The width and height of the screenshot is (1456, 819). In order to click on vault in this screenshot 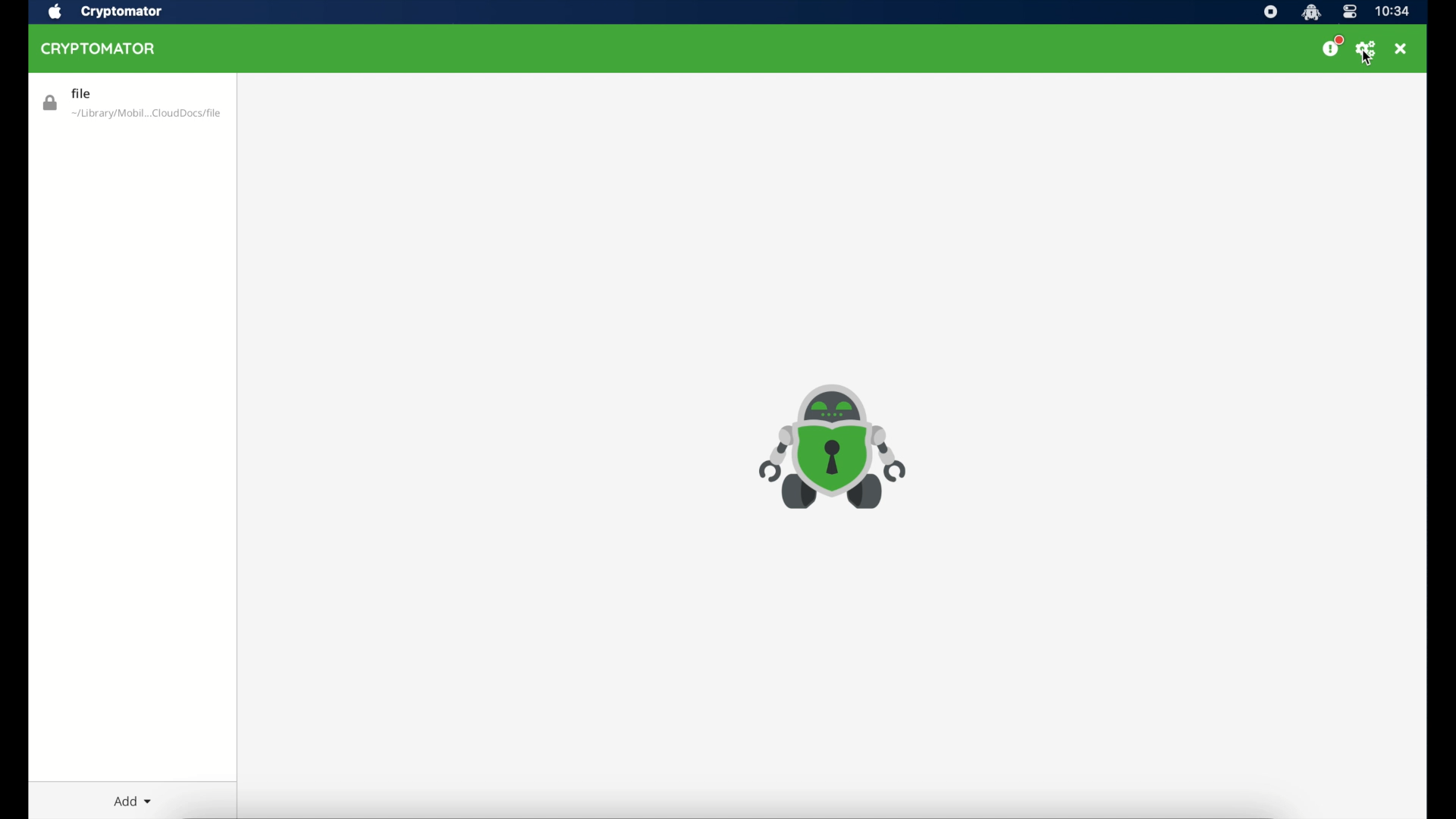, I will do `click(133, 105)`.